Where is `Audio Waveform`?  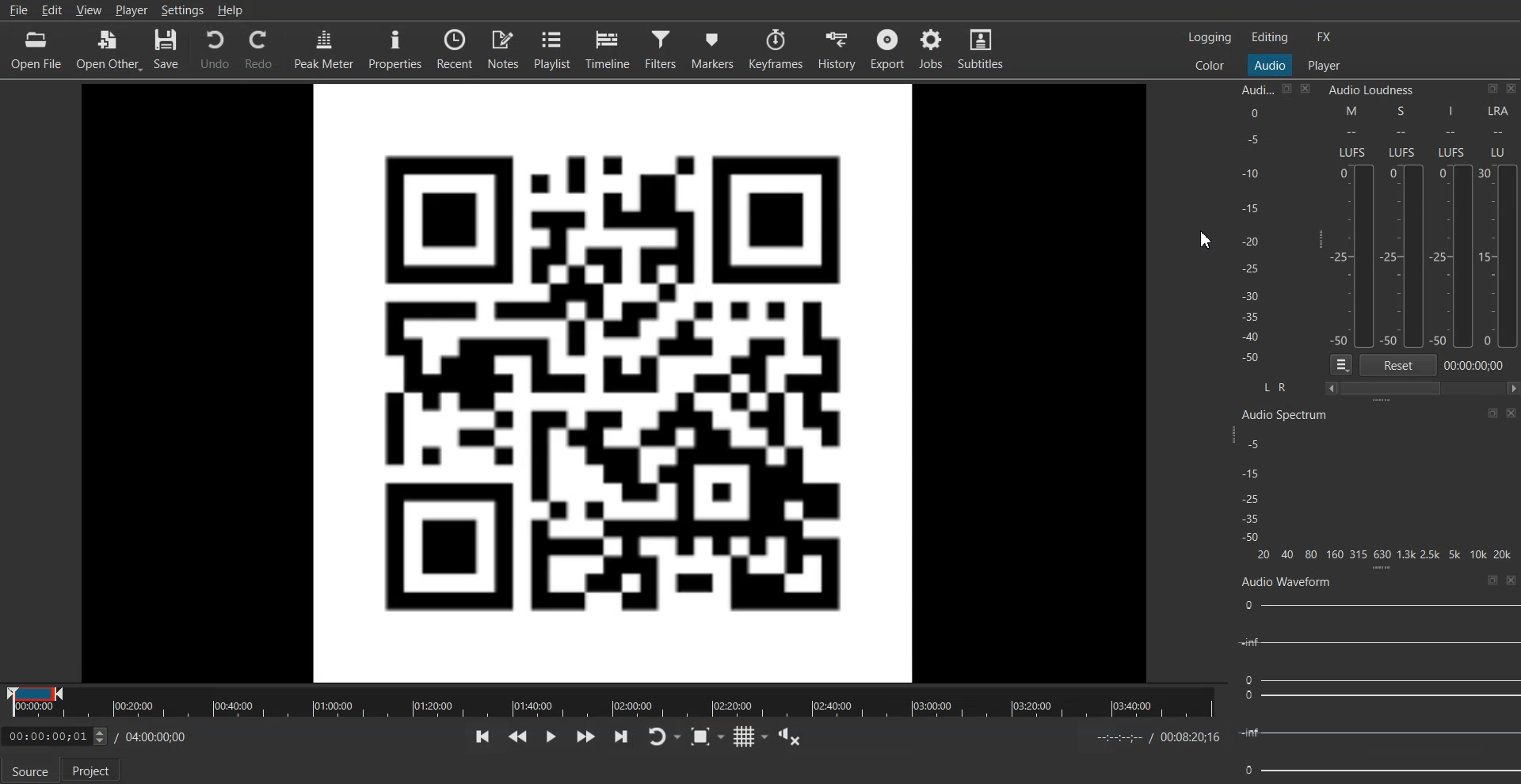
Audio Waveform is located at coordinates (1377, 687).